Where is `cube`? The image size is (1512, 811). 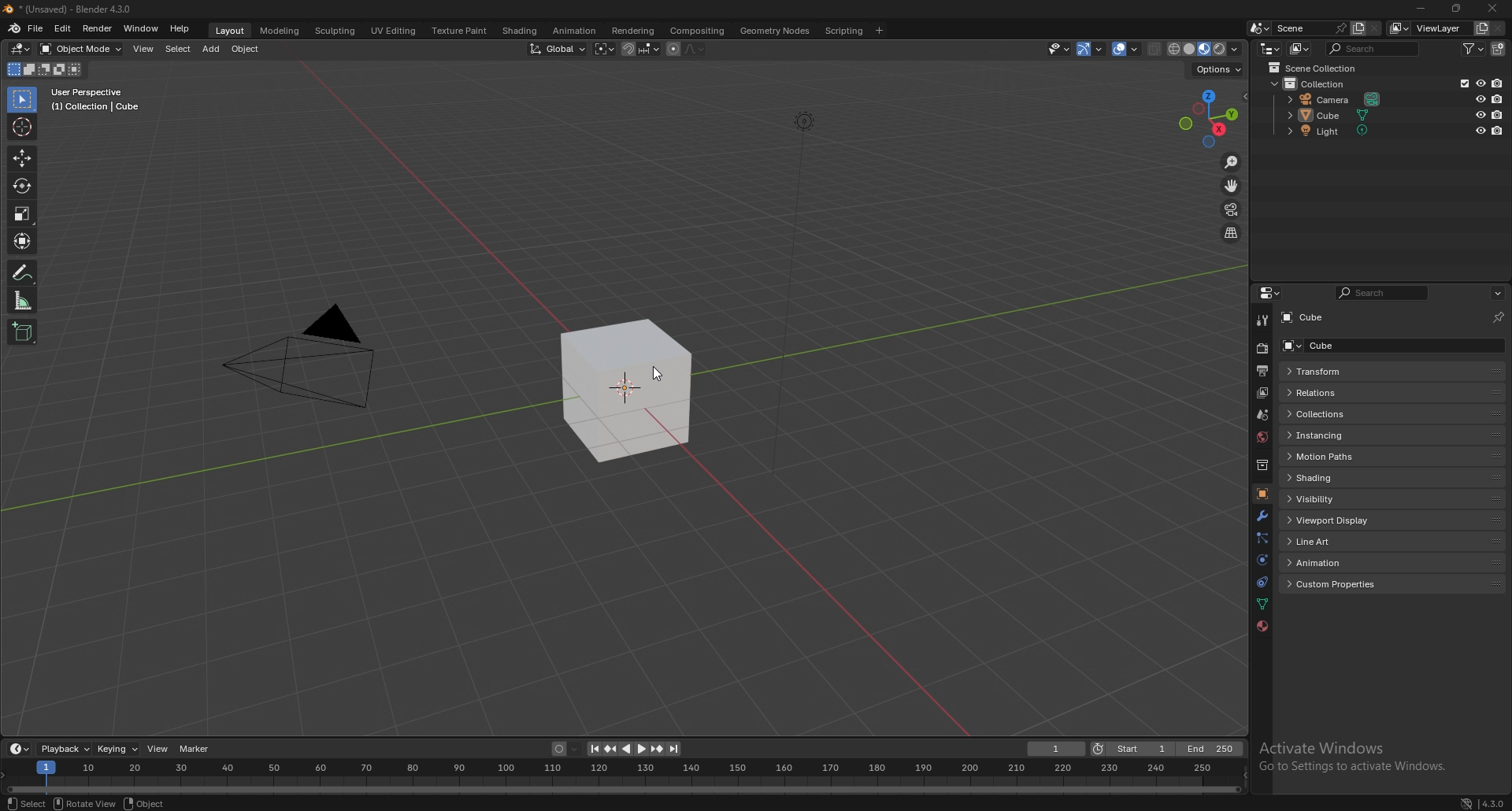 cube is located at coordinates (619, 397).